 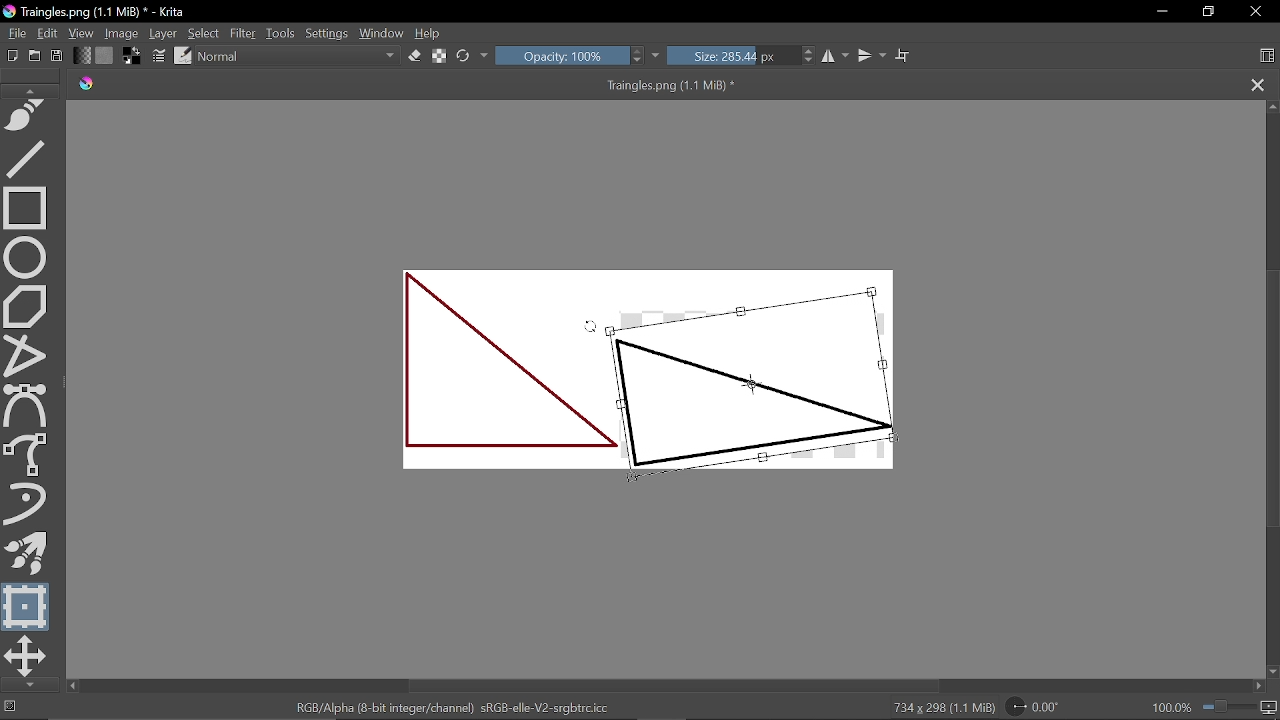 What do you see at coordinates (28, 304) in the screenshot?
I see `Polygon tool` at bounding box center [28, 304].